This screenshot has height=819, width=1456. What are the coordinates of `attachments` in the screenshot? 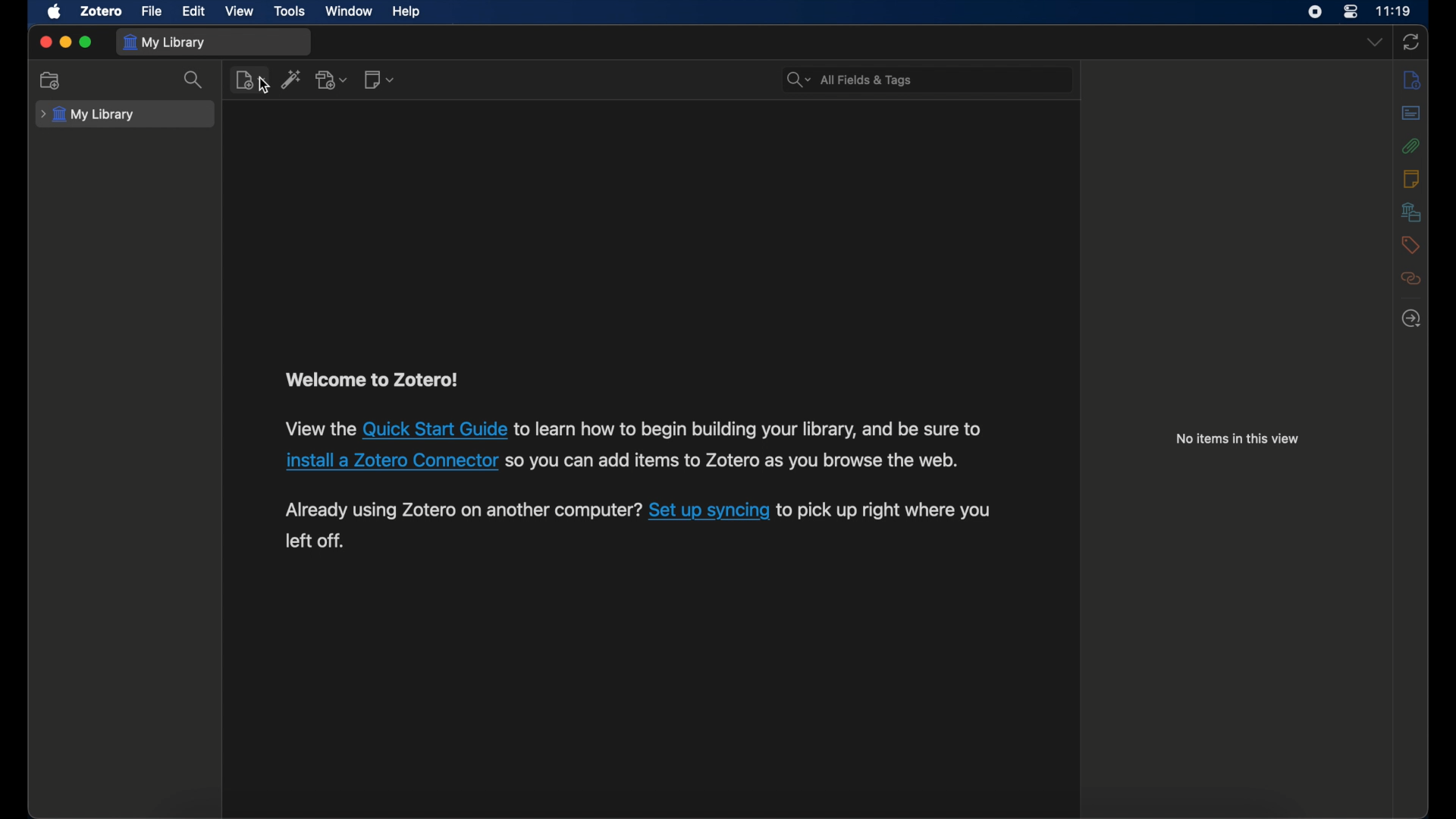 It's located at (1411, 146).